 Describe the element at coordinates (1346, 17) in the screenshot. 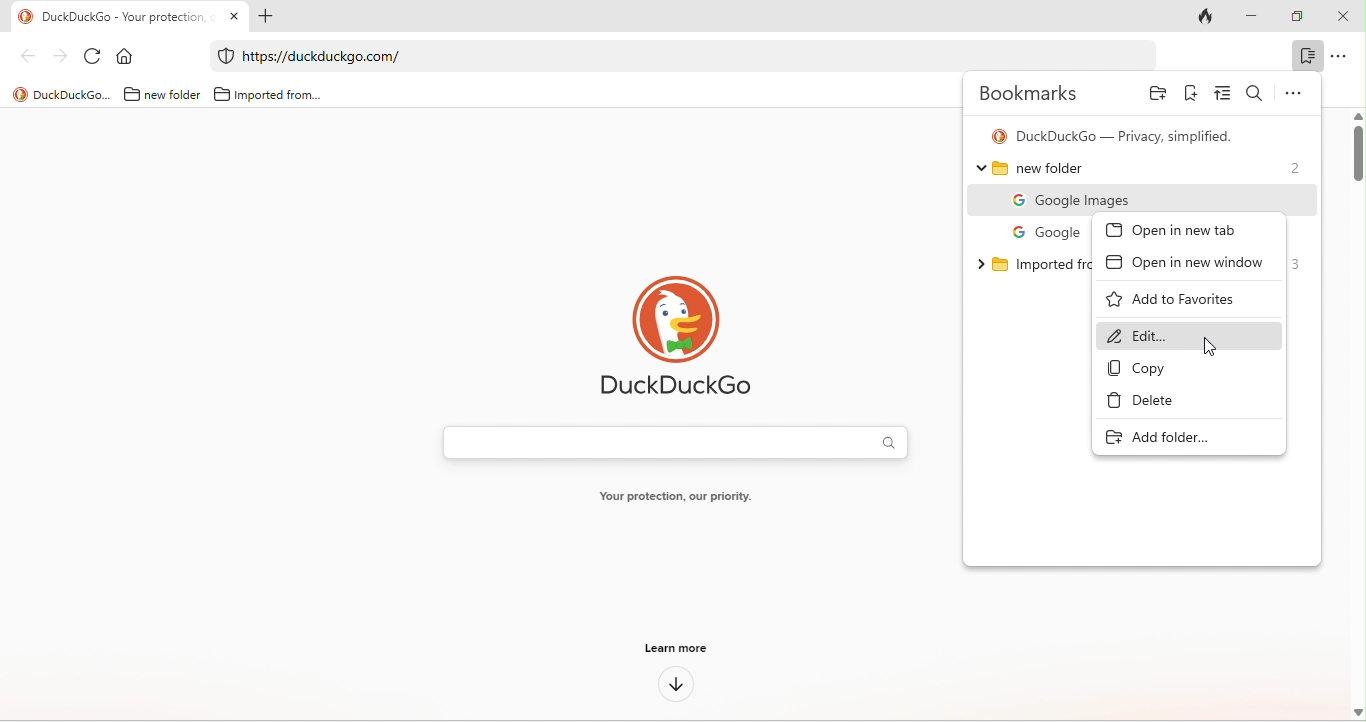

I see `close` at that location.